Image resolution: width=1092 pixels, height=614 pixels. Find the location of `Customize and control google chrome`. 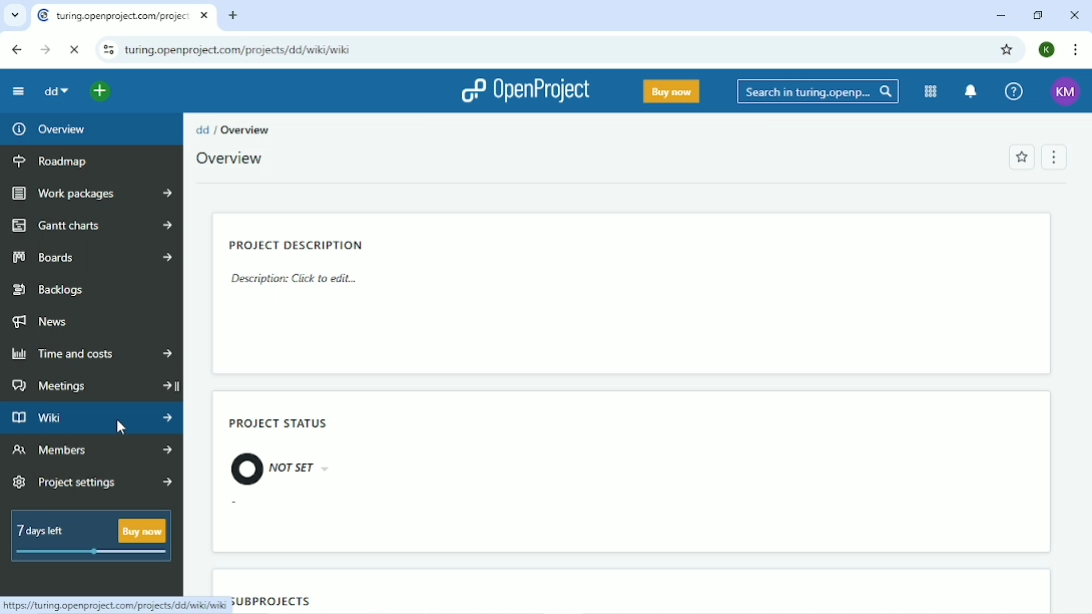

Customize and control google chrome is located at coordinates (1074, 50).